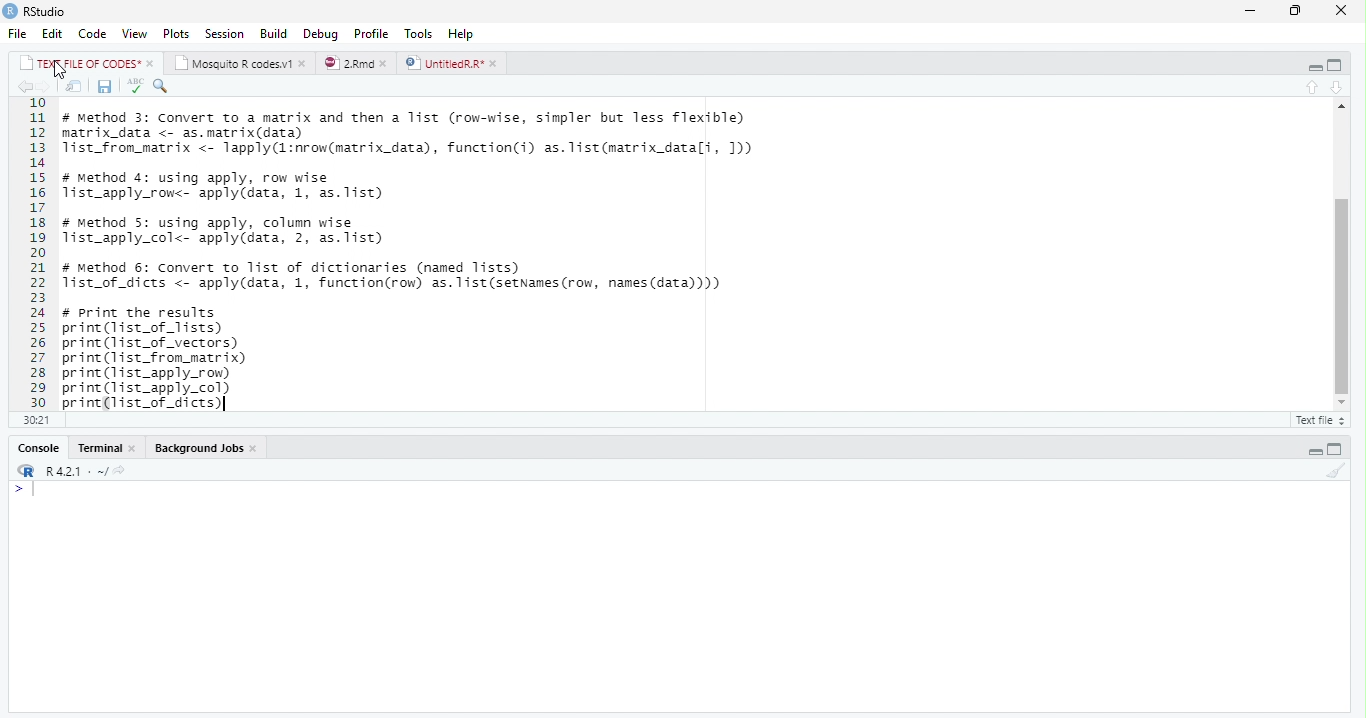  Describe the element at coordinates (206, 448) in the screenshot. I see `Background Jobs` at that location.